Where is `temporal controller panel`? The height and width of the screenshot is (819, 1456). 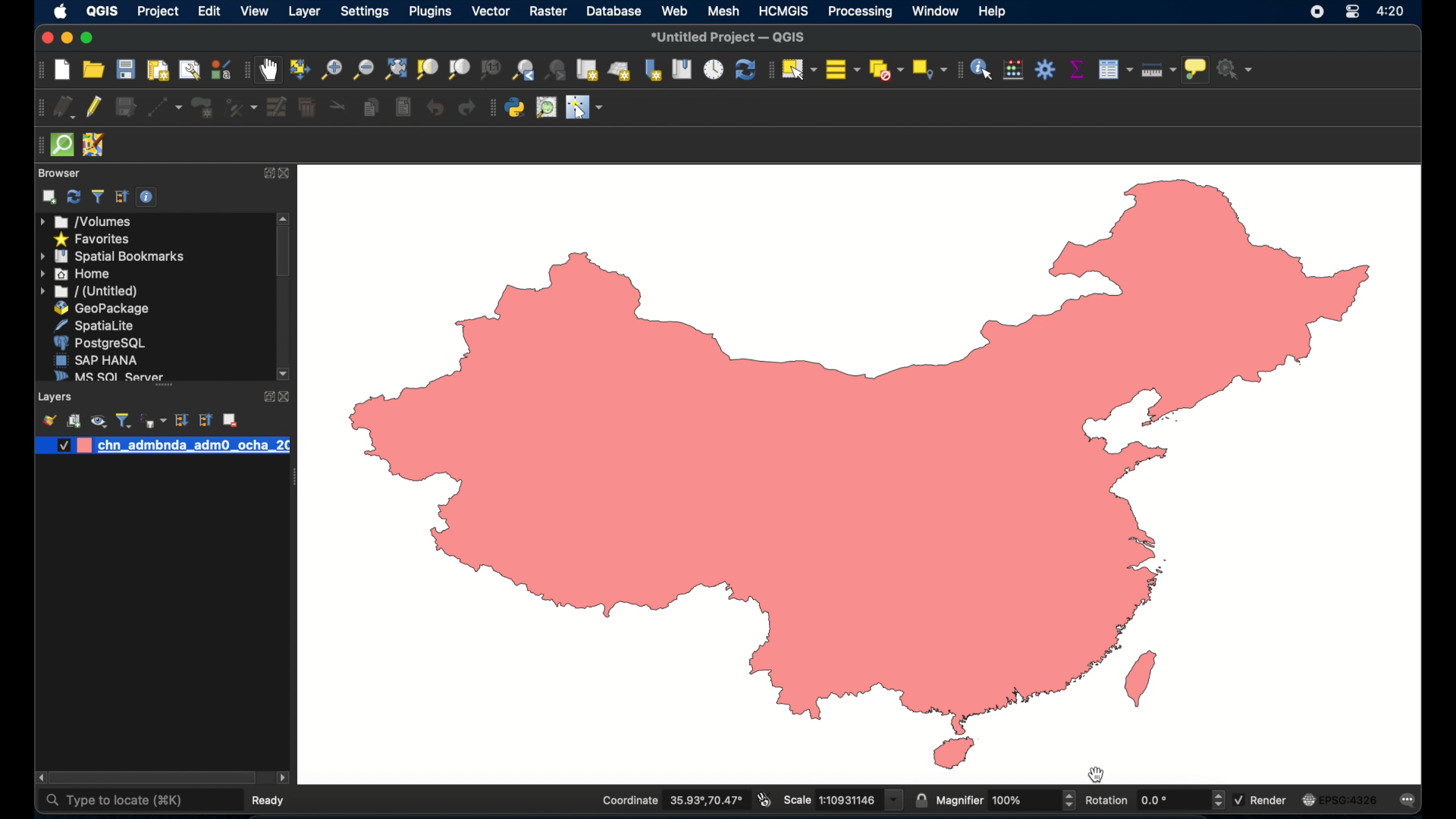
temporal controller panel is located at coordinates (711, 71).